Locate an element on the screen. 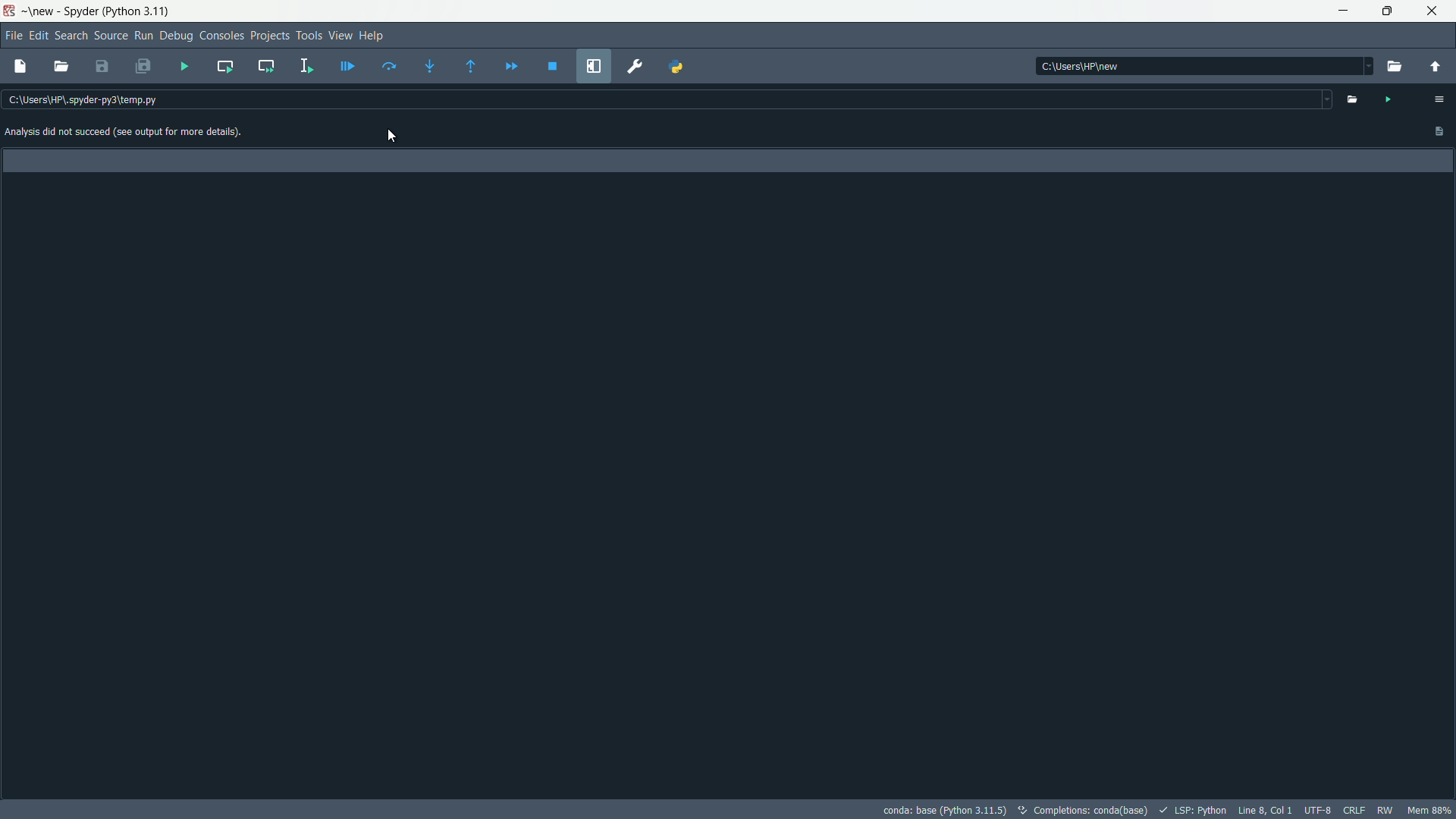 This screenshot has height=819, width=1456. maximize is located at coordinates (1389, 11).